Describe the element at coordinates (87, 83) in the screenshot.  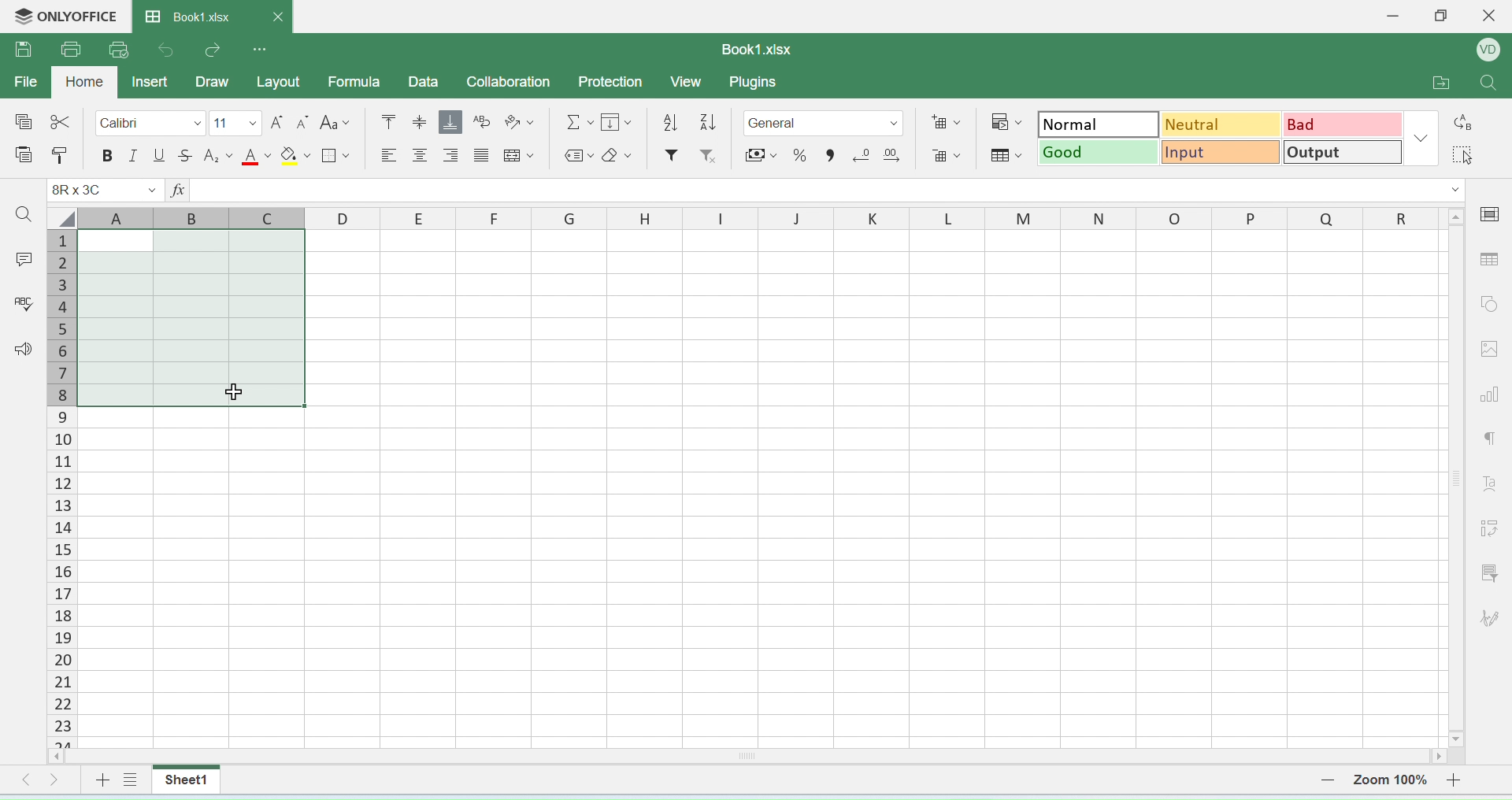
I see `` at that location.